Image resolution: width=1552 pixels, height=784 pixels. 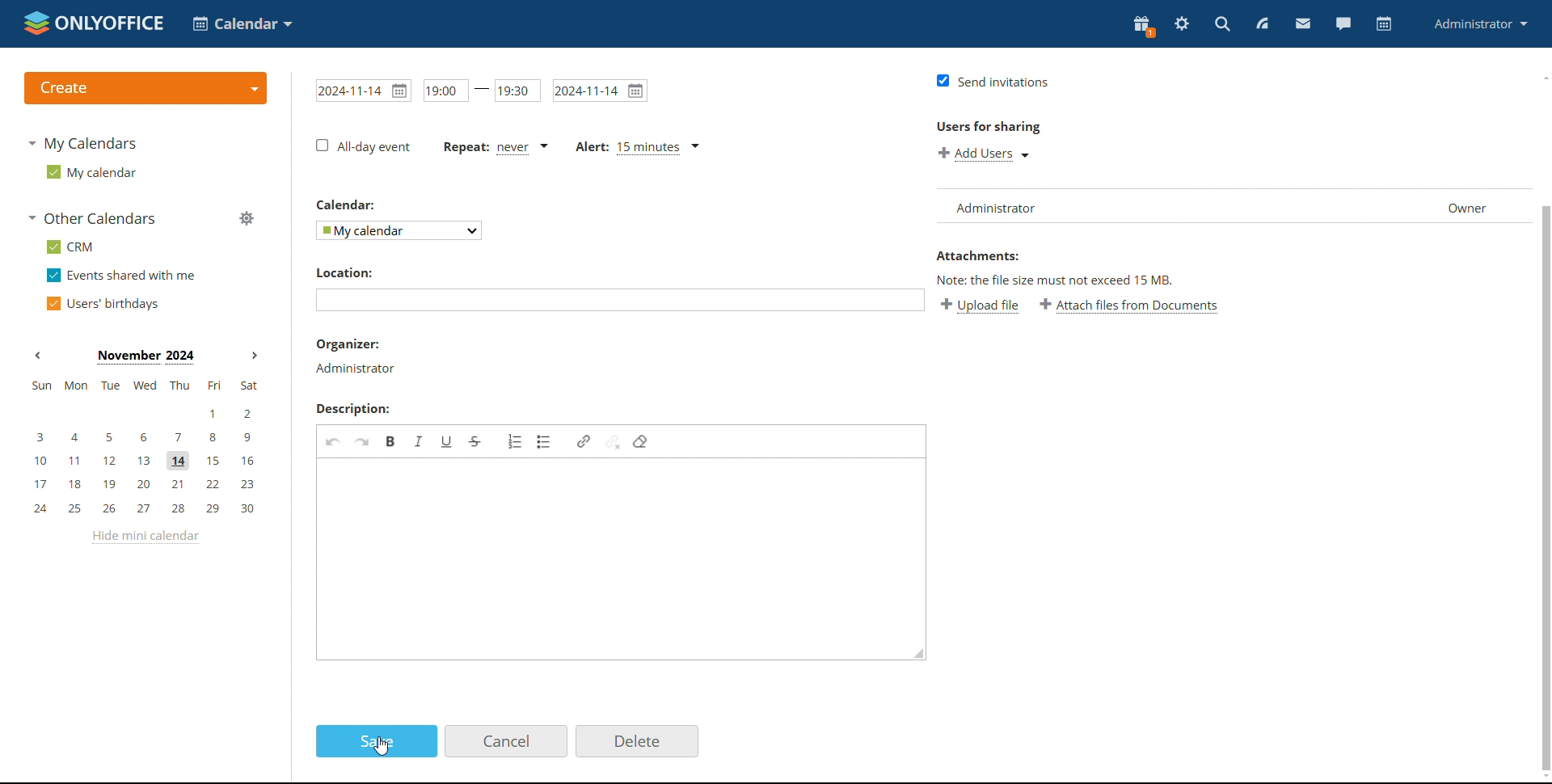 What do you see at coordinates (1076, 281) in the screenshot?
I see `note` at bounding box center [1076, 281].